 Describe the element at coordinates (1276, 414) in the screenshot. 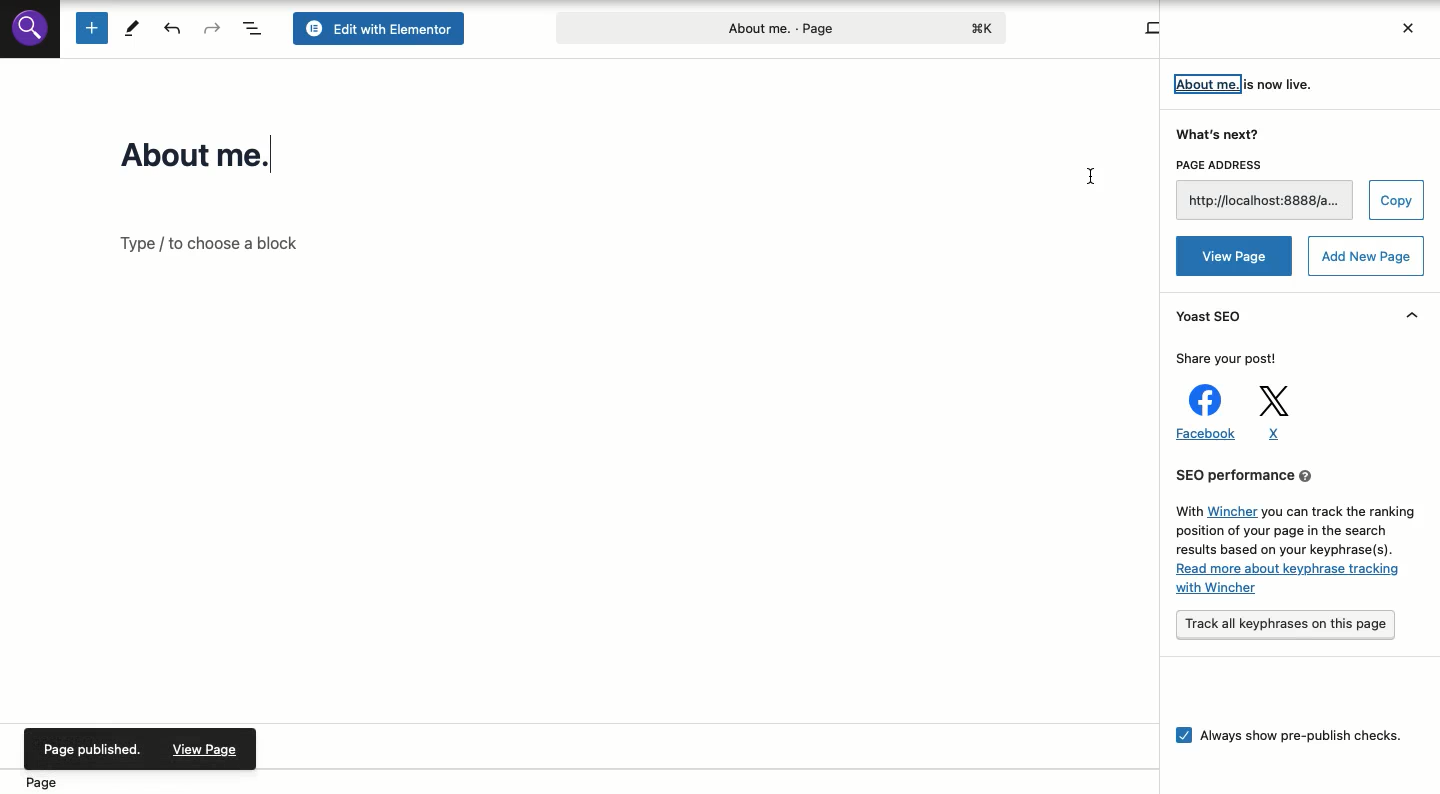

I see `X` at that location.